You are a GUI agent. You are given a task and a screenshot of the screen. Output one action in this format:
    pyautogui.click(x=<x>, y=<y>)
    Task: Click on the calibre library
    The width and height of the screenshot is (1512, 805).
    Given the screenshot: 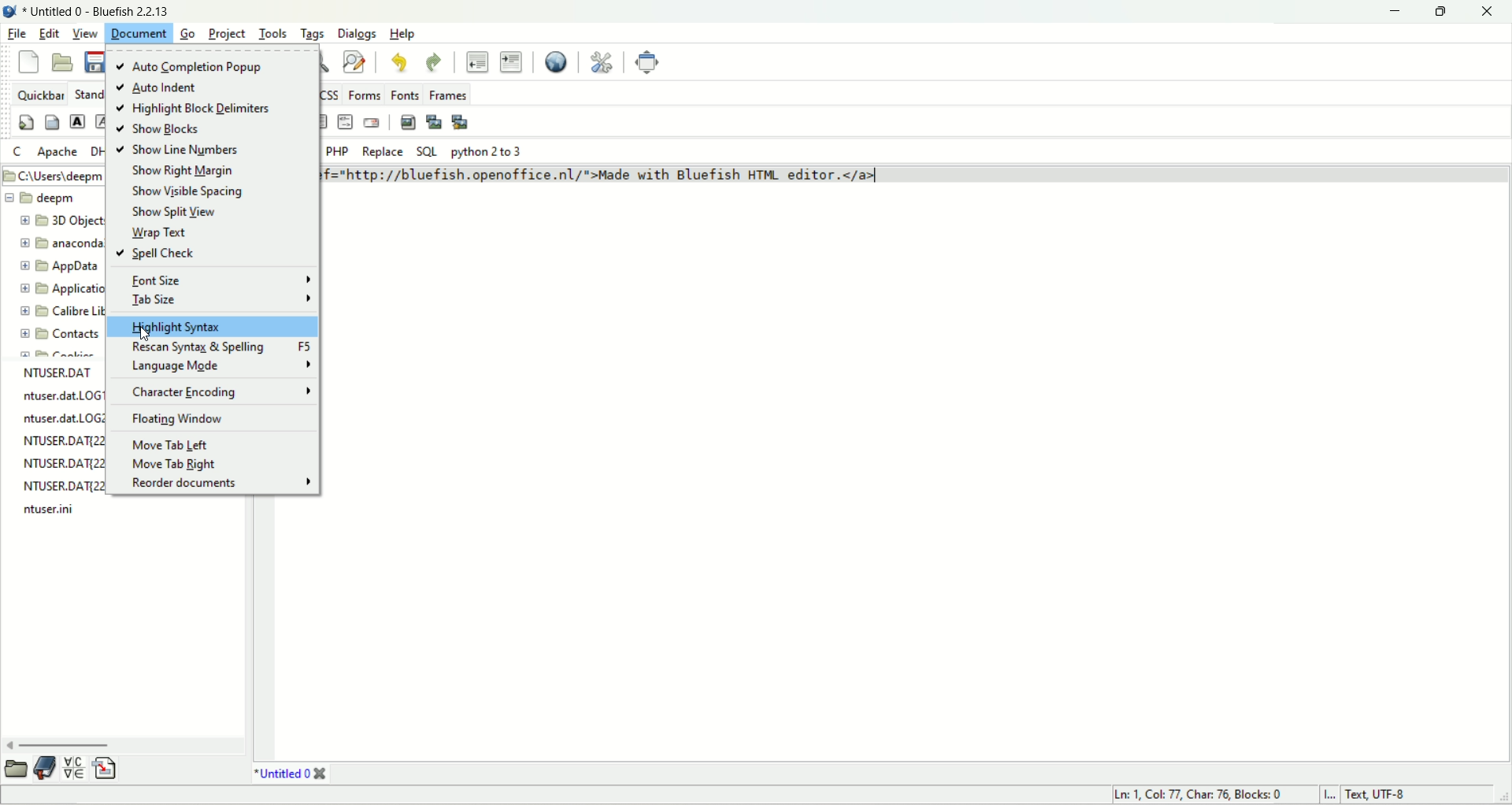 What is the action you would take?
    pyautogui.click(x=61, y=309)
    